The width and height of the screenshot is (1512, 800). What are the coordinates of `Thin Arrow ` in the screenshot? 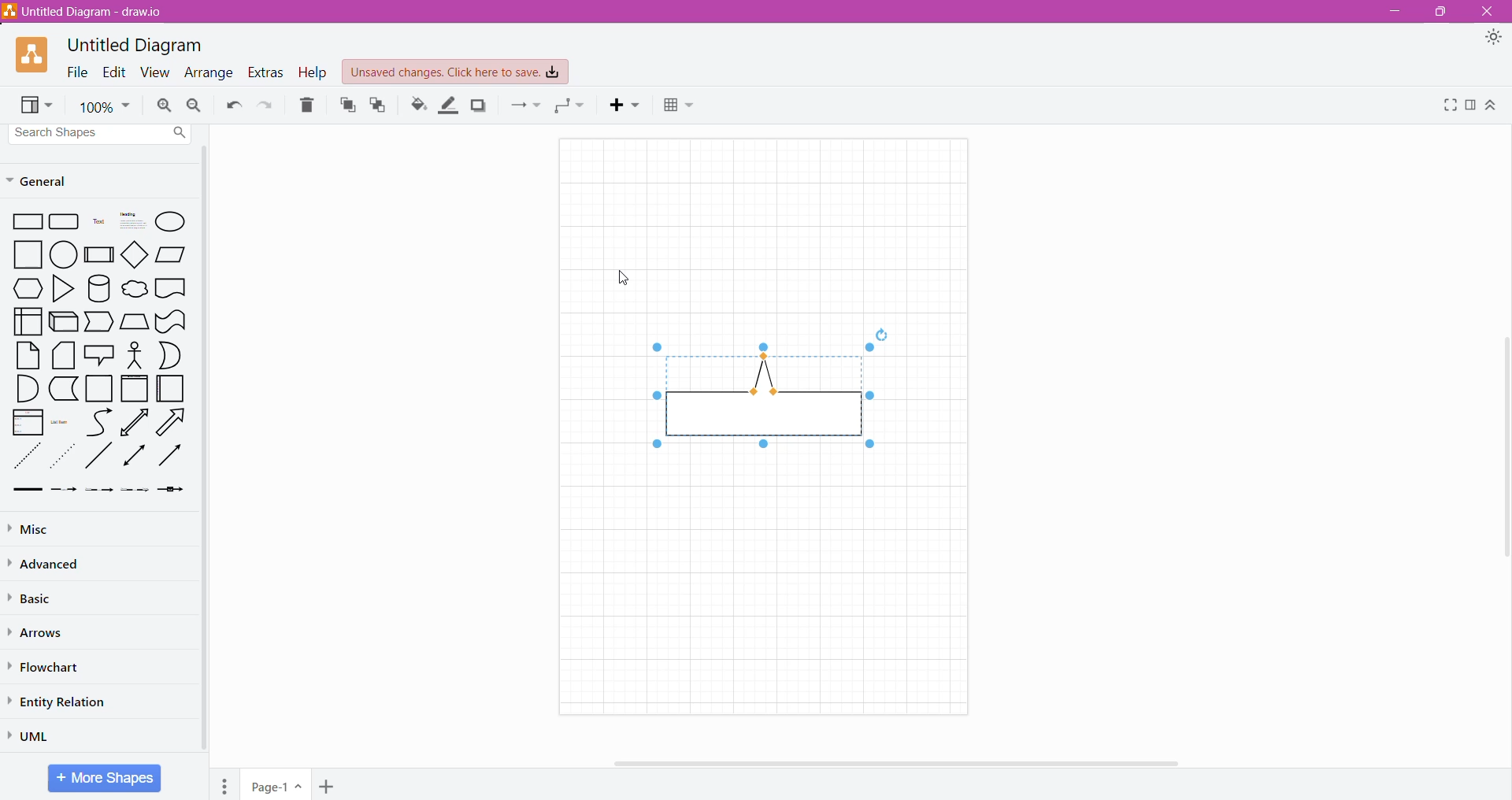 It's located at (100, 491).